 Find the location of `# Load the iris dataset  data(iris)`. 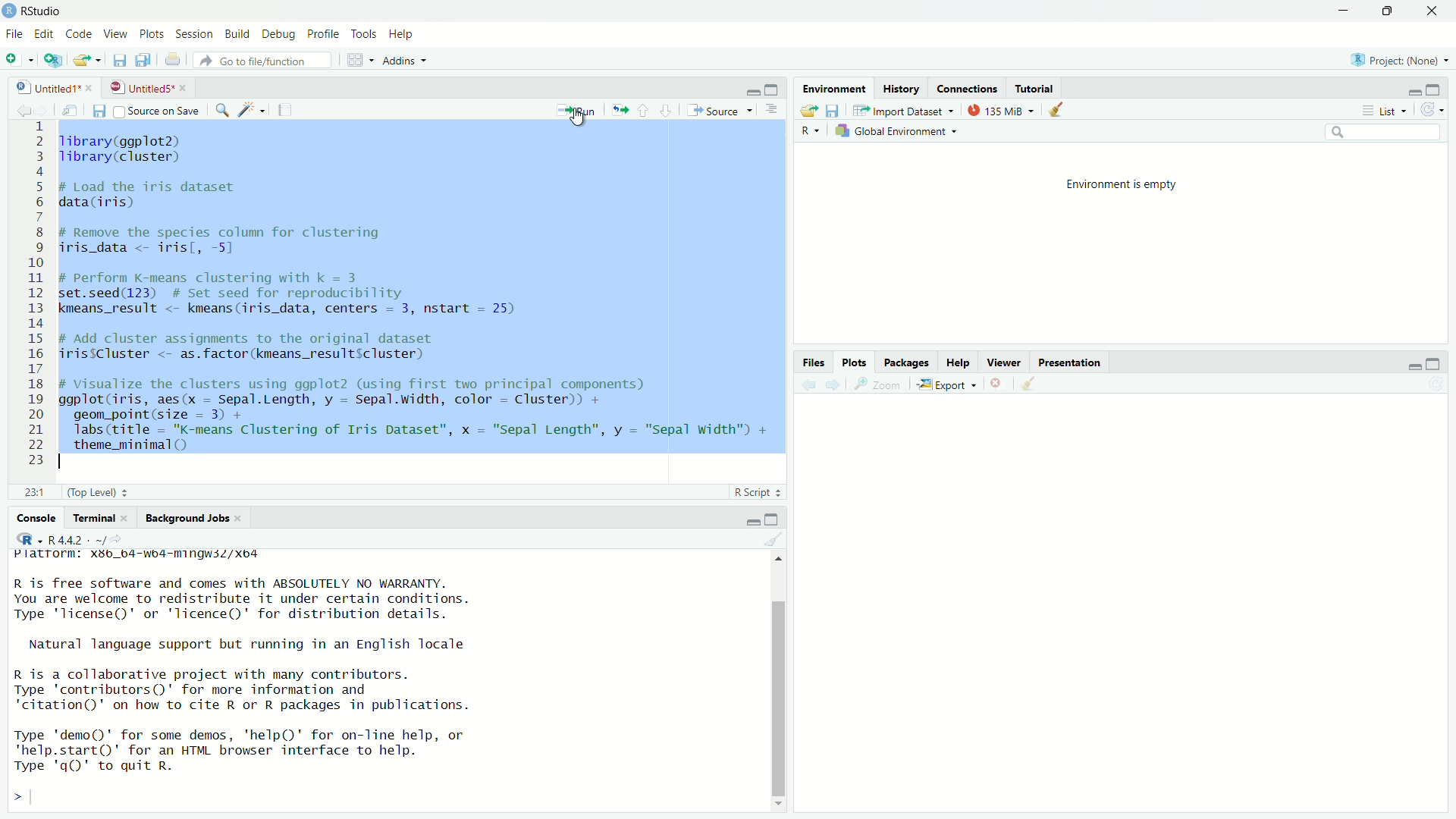

# Load the iris dataset  data(iris) is located at coordinates (165, 196).